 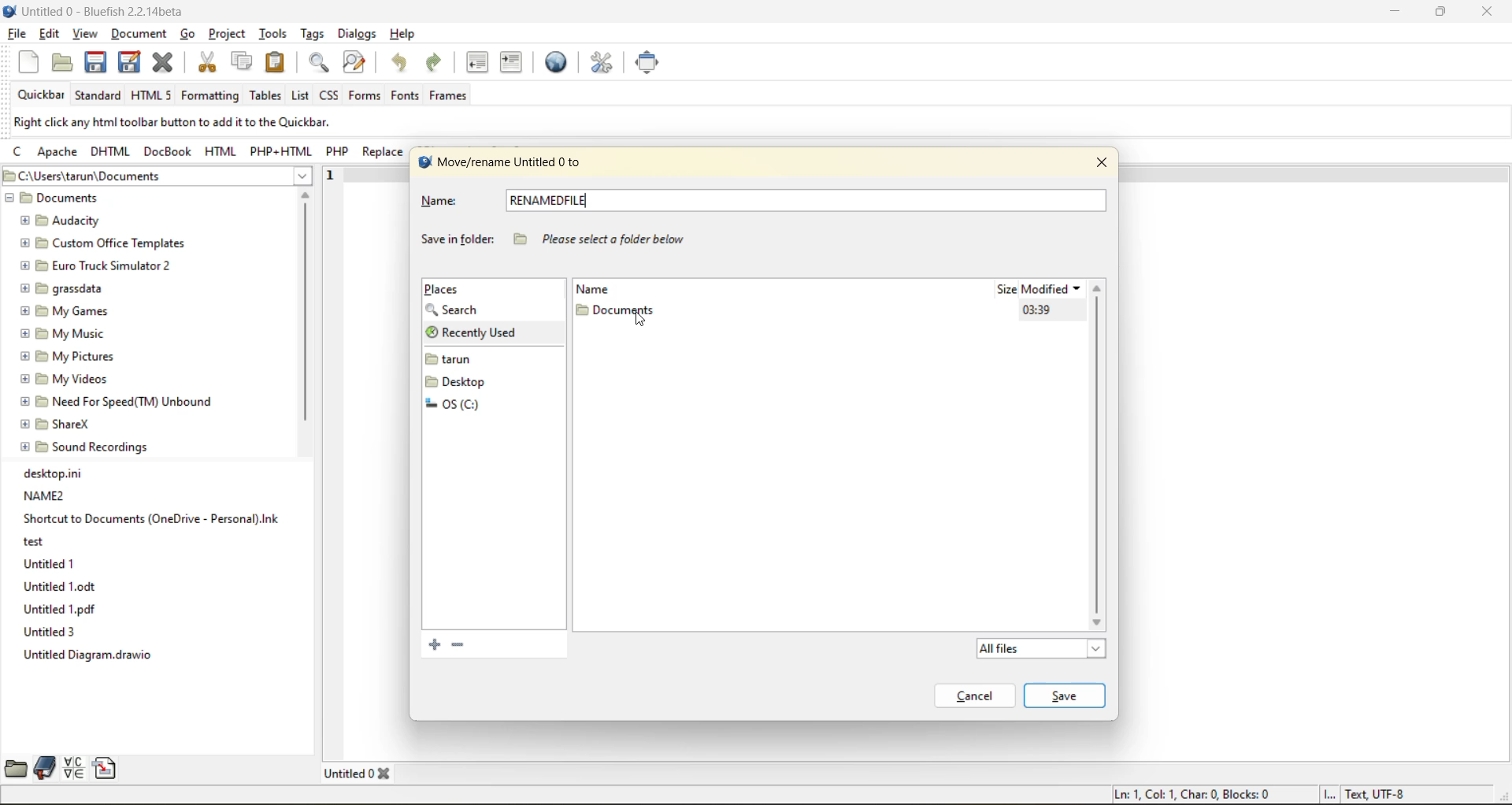 What do you see at coordinates (169, 150) in the screenshot?
I see `docbook` at bounding box center [169, 150].